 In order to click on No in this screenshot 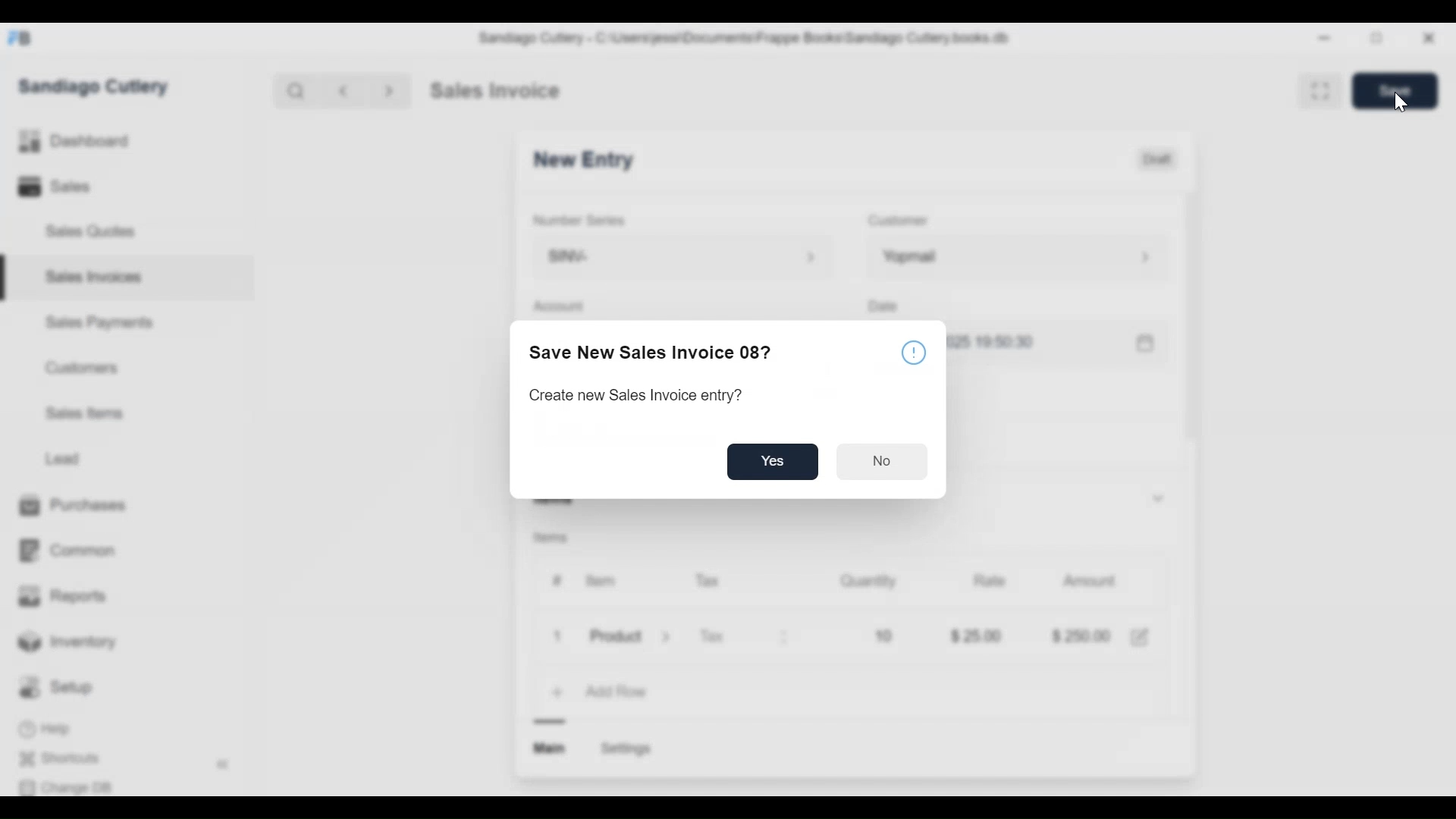, I will do `click(881, 461)`.